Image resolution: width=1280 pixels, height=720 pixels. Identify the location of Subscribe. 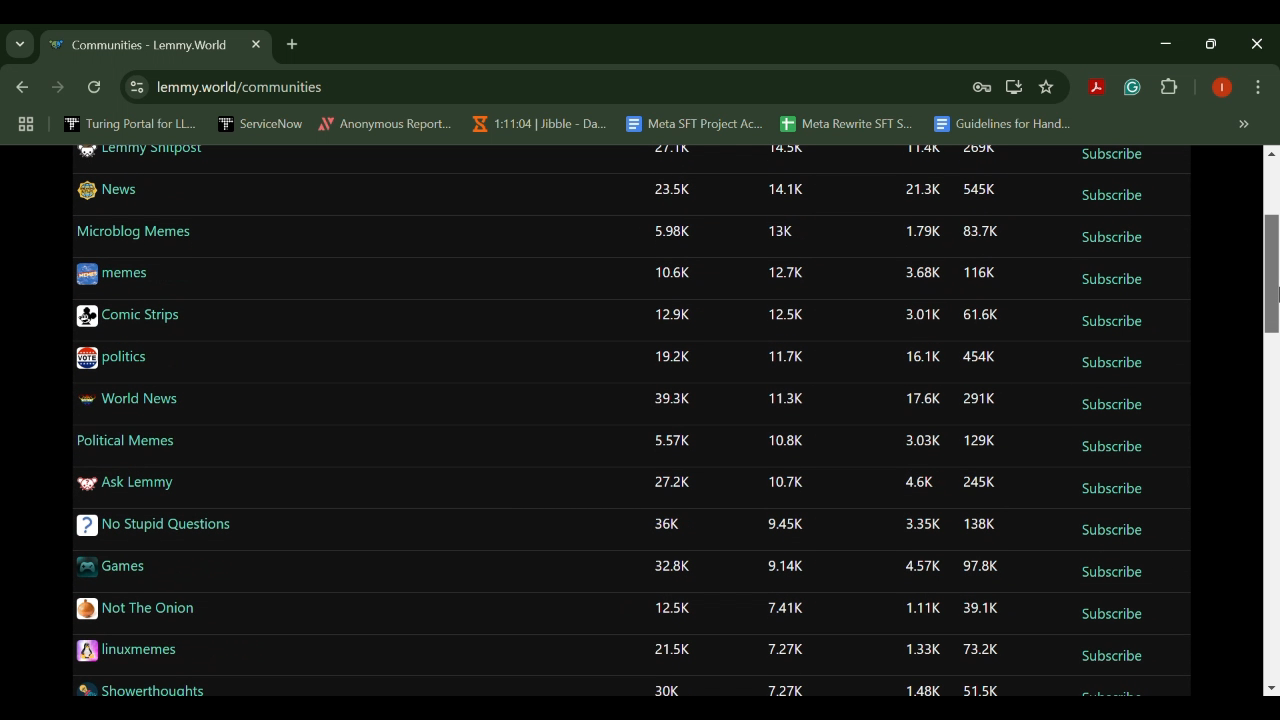
(1110, 237).